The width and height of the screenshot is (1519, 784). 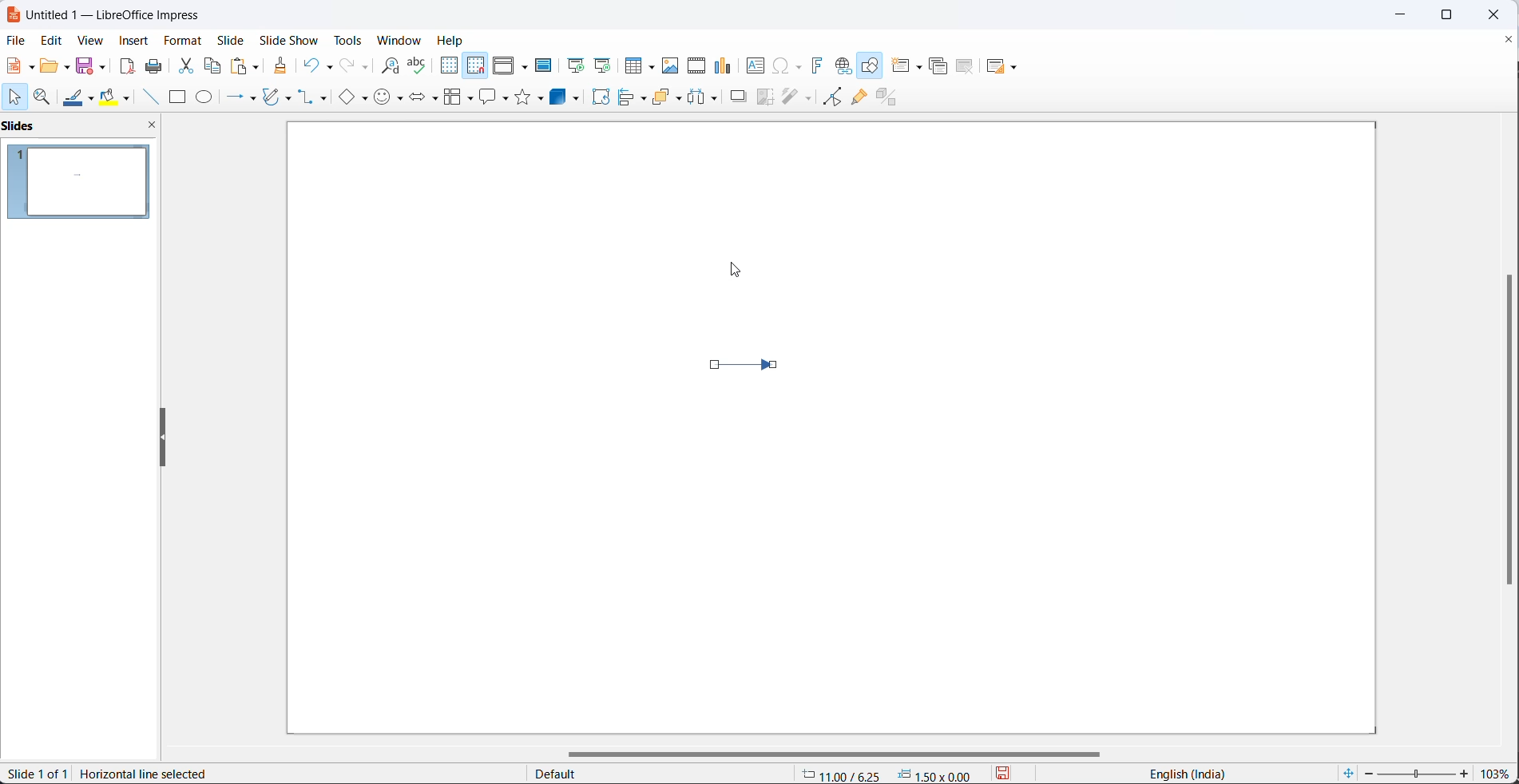 I want to click on redo, so click(x=351, y=66).